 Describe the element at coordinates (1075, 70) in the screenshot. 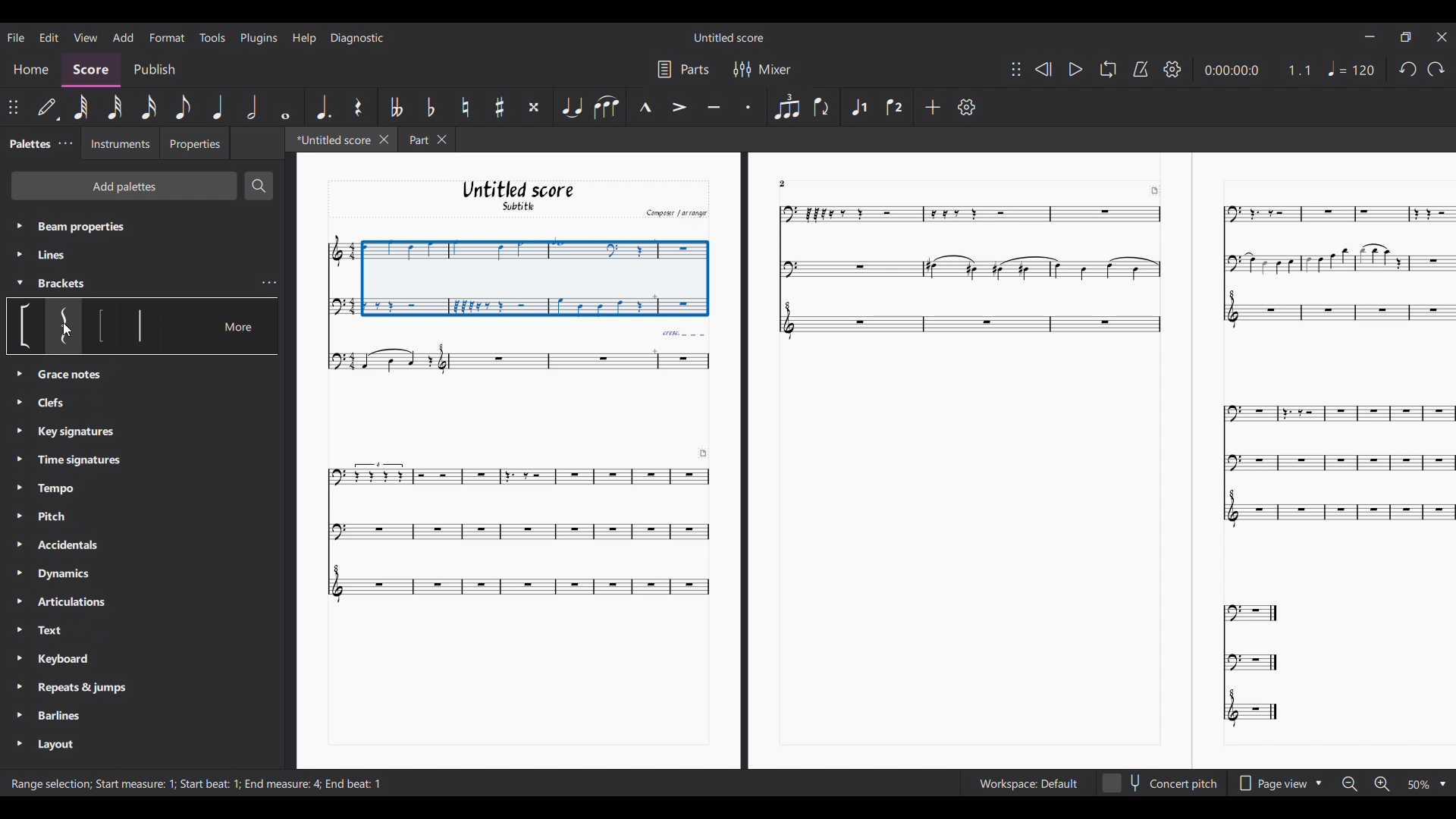

I see `Play` at that location.